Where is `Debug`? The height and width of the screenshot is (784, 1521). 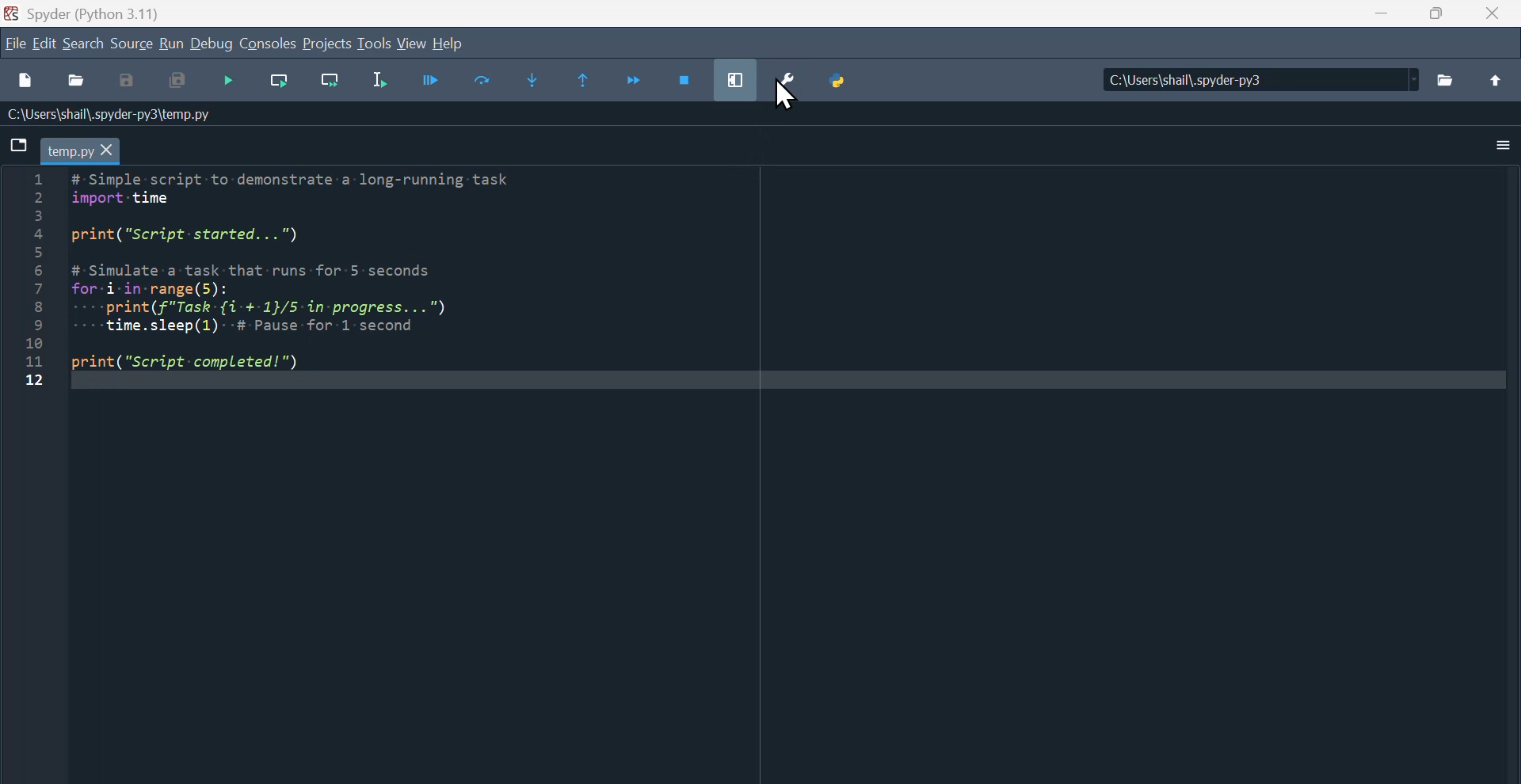
Debug is located at coordinates (211, 43).